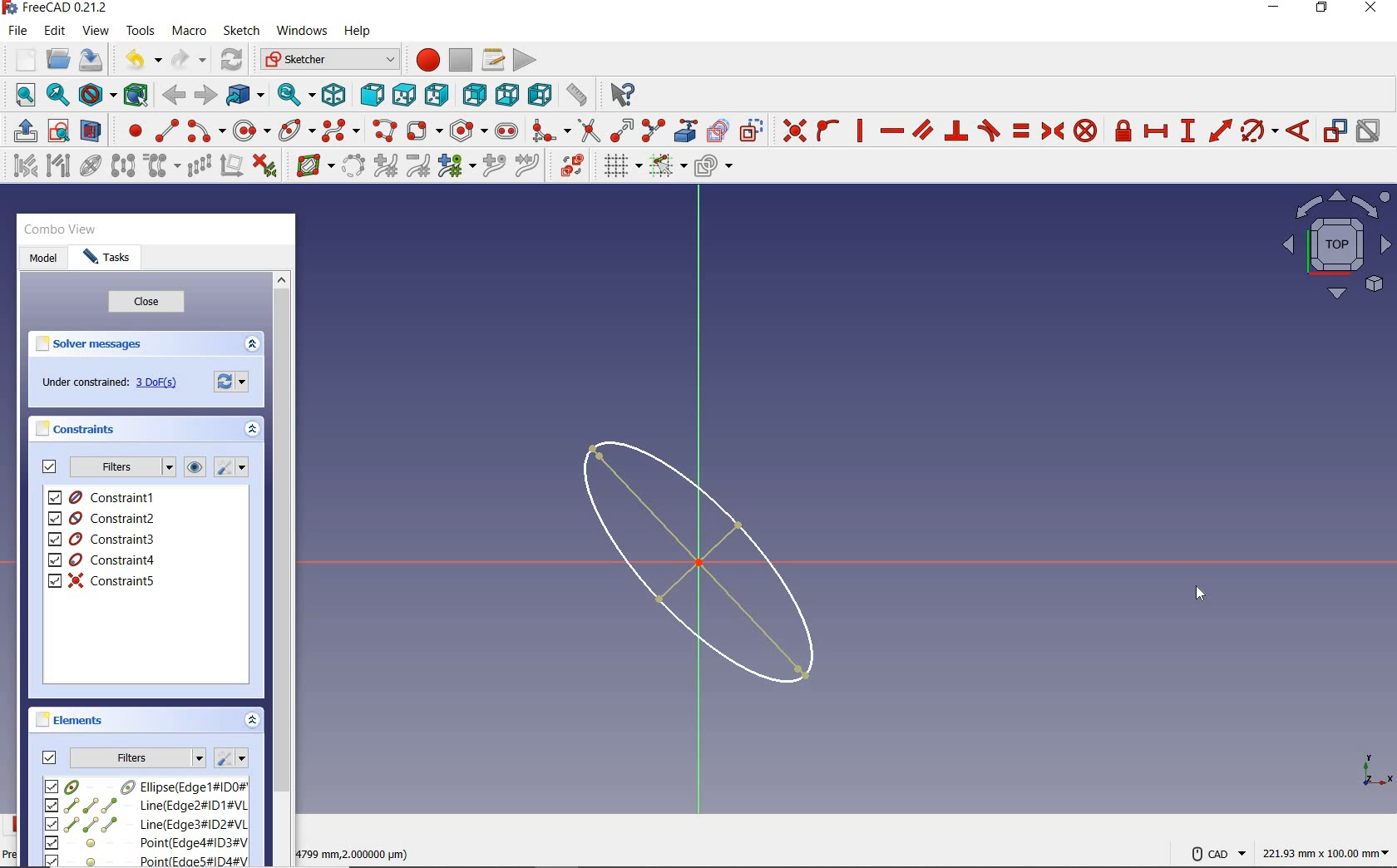 This screenshot has height=868, width=1397. I want to click on toggle driving/ reference constraint, so click(1335, 130).